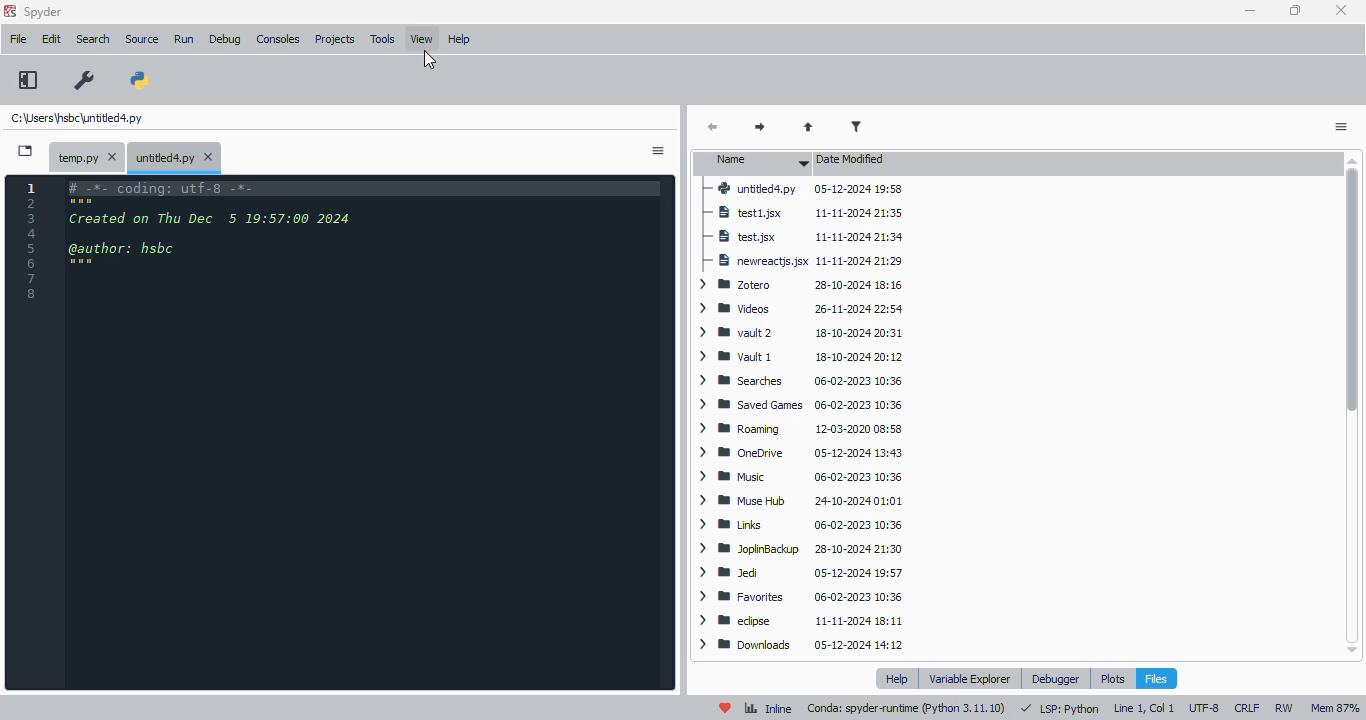 This screenshot has width=1366, height=720. I want to click on debug, so click(225, 40).